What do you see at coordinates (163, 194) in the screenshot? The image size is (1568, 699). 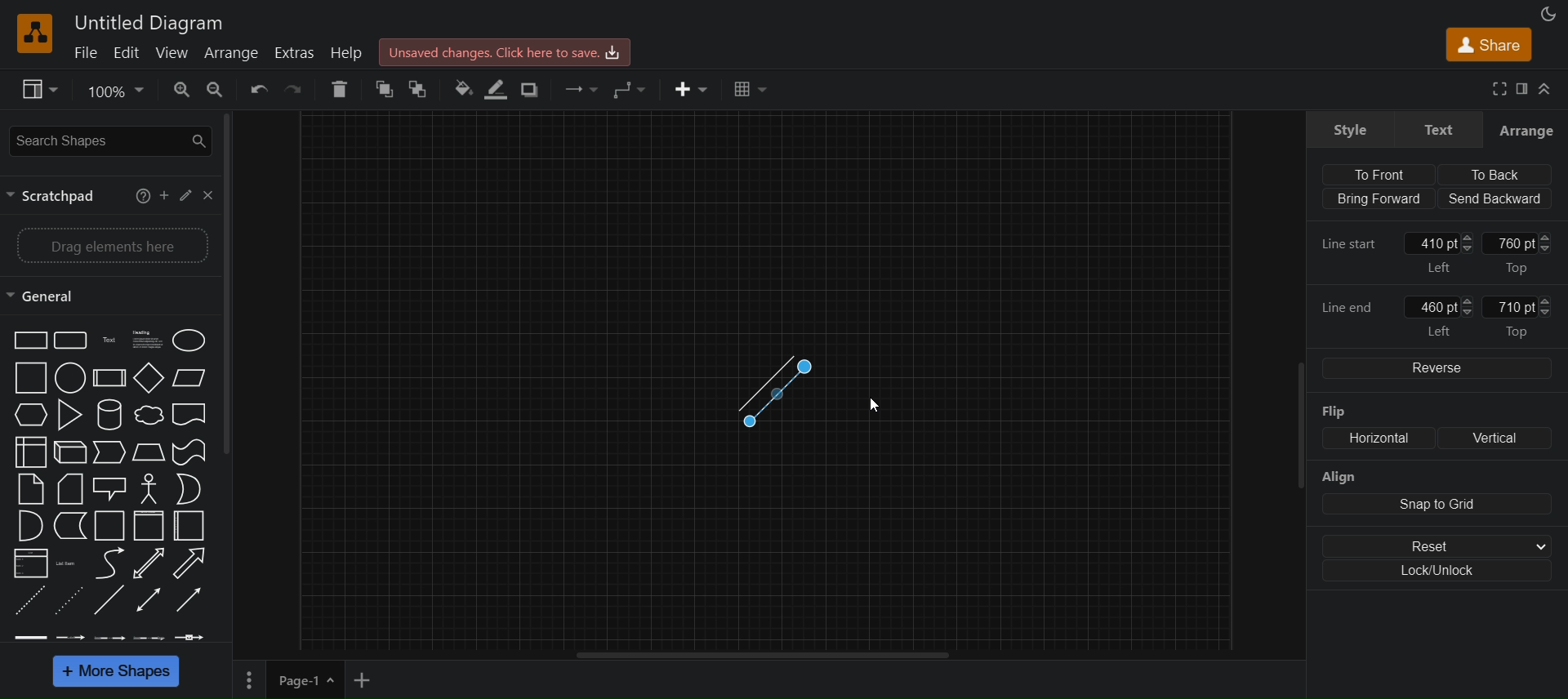 I see `add` at bounding box center [163, 194].